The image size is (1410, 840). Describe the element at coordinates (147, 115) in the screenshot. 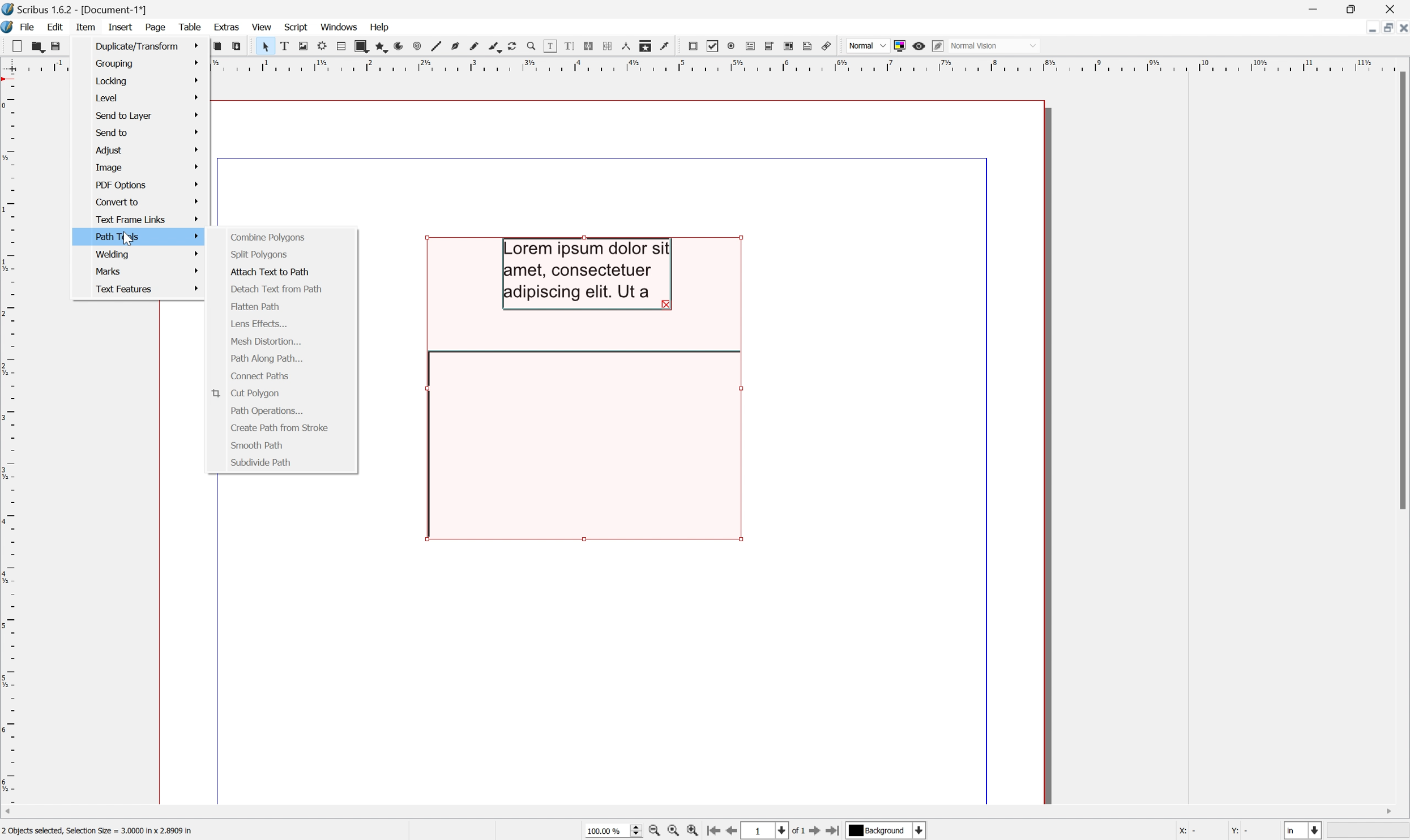

I see `Send to layer` at that location.